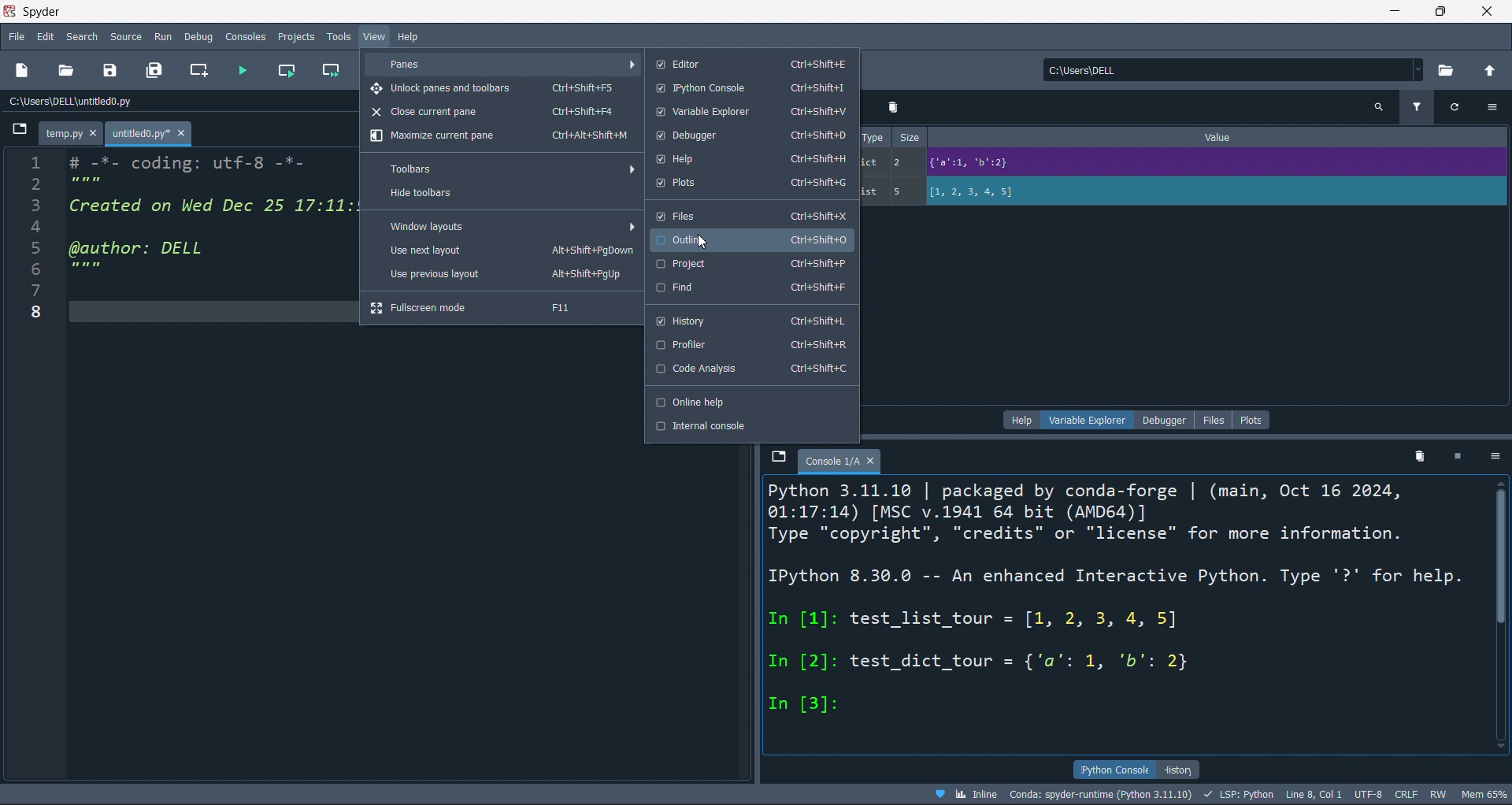 Image resolution: width=1512 pixels, height=805 pixels. Describe the element at coordinates (413, 35) in the screenshot. I see `help` at that location.